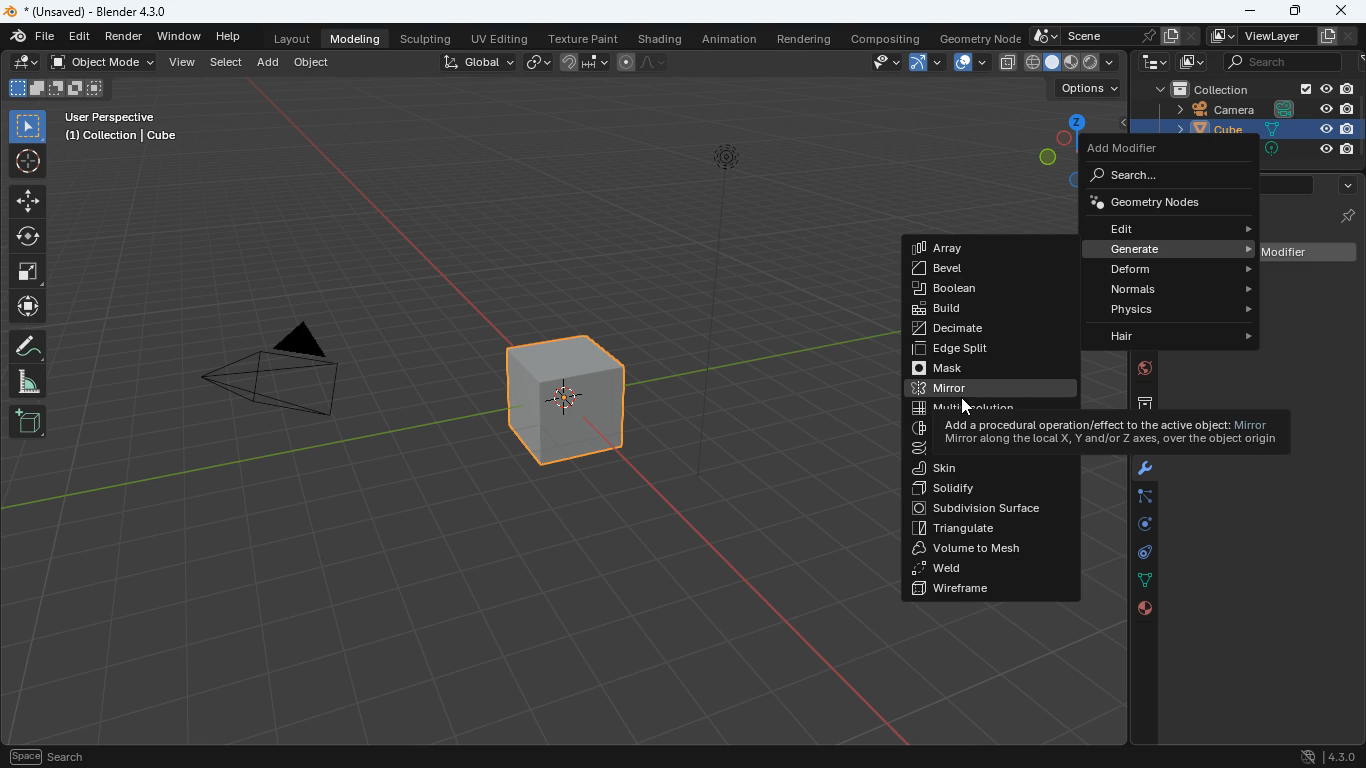  What do you see at coordinates (1192, 63) in the screenshot?
I see `image` at bounding box center [1192, 63].